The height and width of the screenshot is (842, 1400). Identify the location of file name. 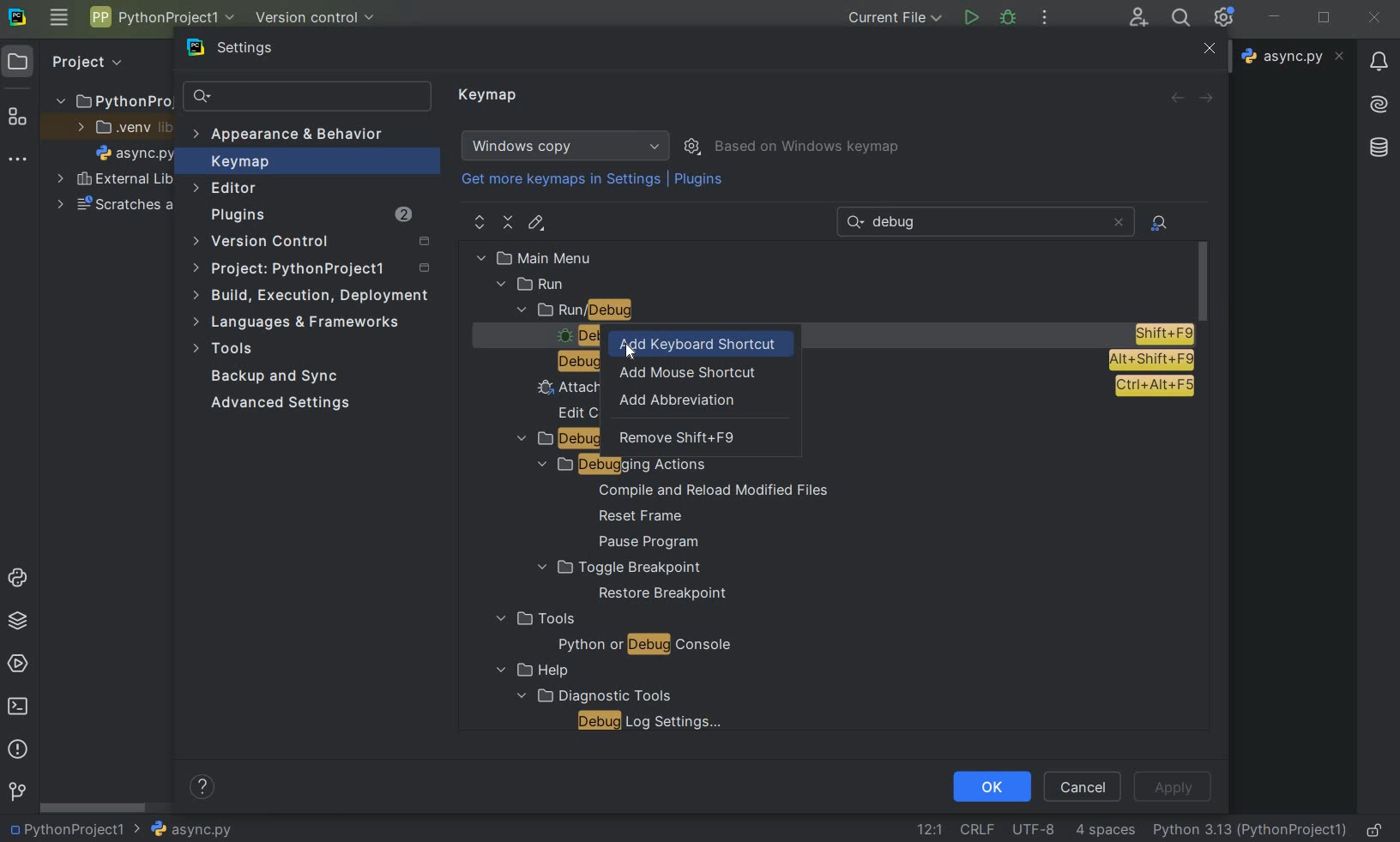
(1295, 56).